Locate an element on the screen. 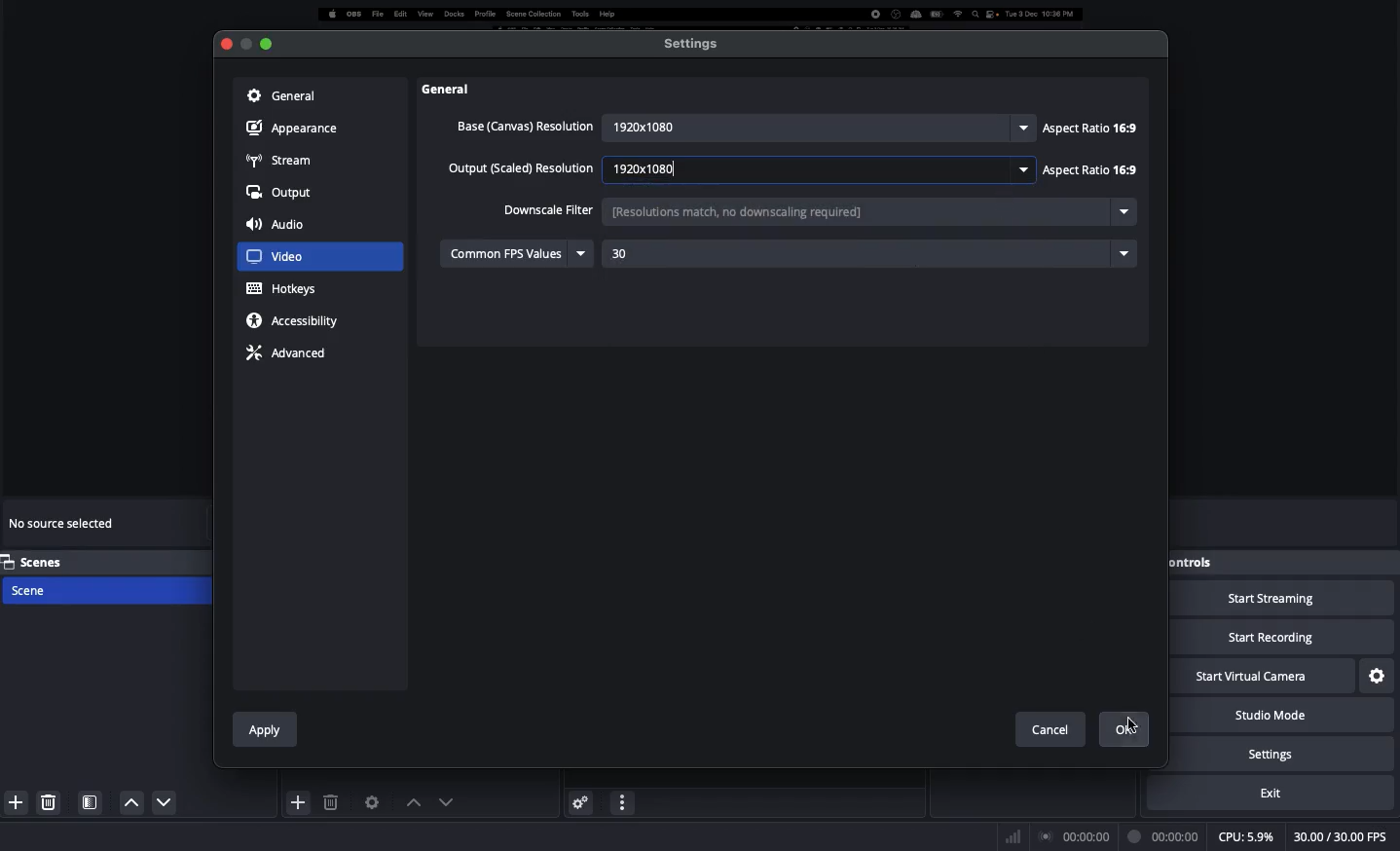  Controls is located at coordinates (1195, 562).